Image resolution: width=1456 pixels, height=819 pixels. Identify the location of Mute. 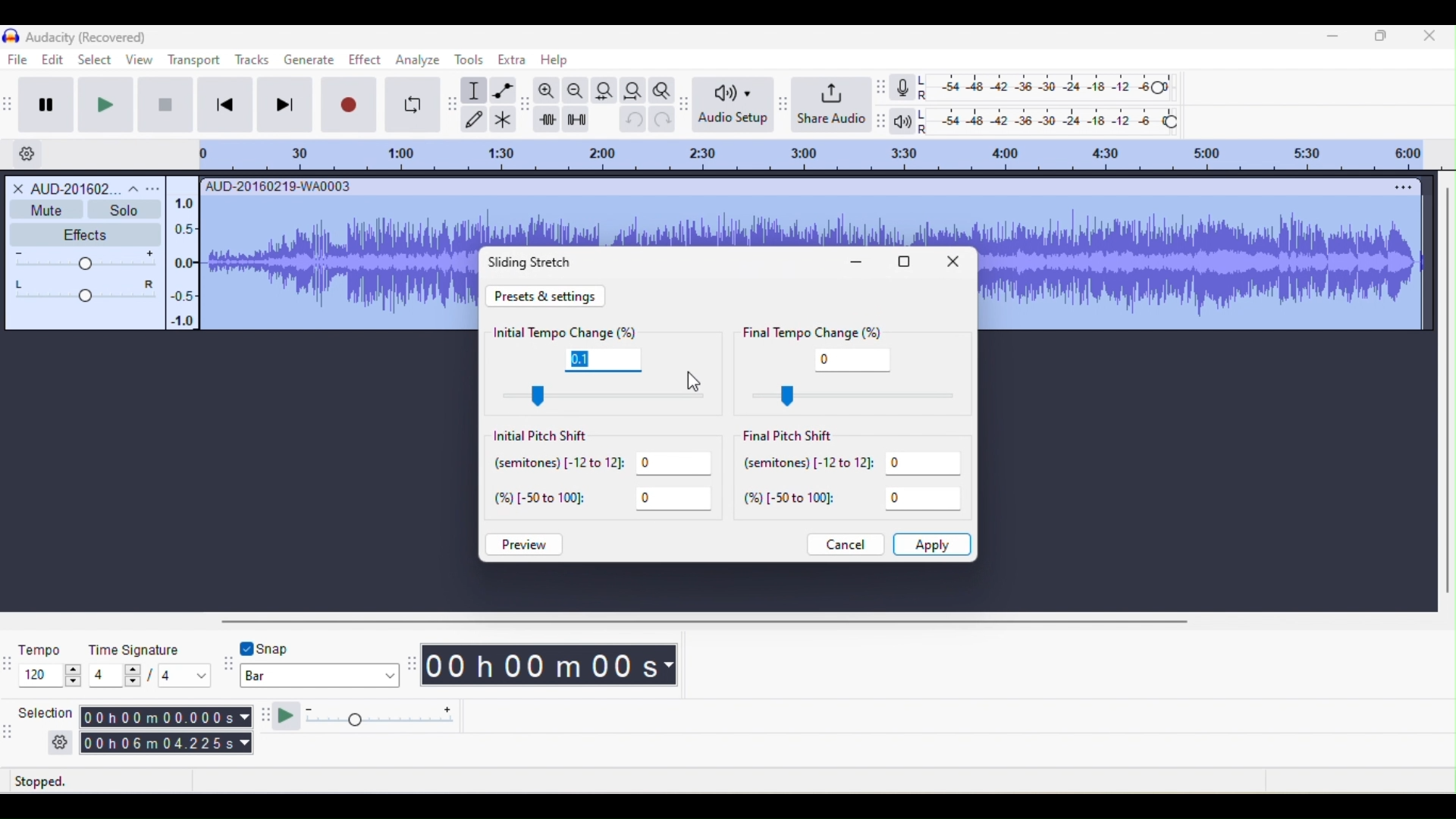
(45, 209).